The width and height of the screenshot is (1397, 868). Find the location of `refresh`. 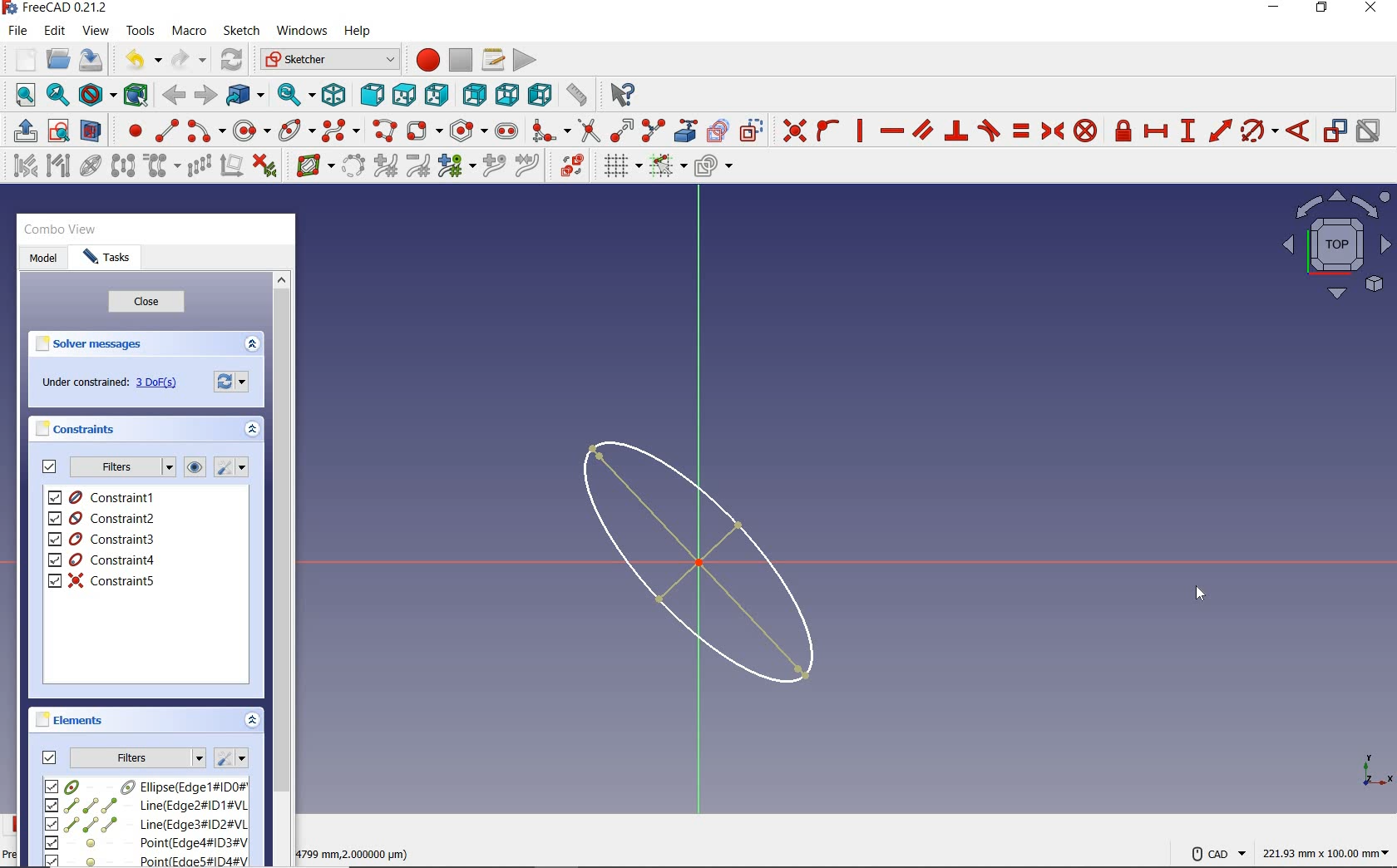

refresh is located at coordinates (234, 61).